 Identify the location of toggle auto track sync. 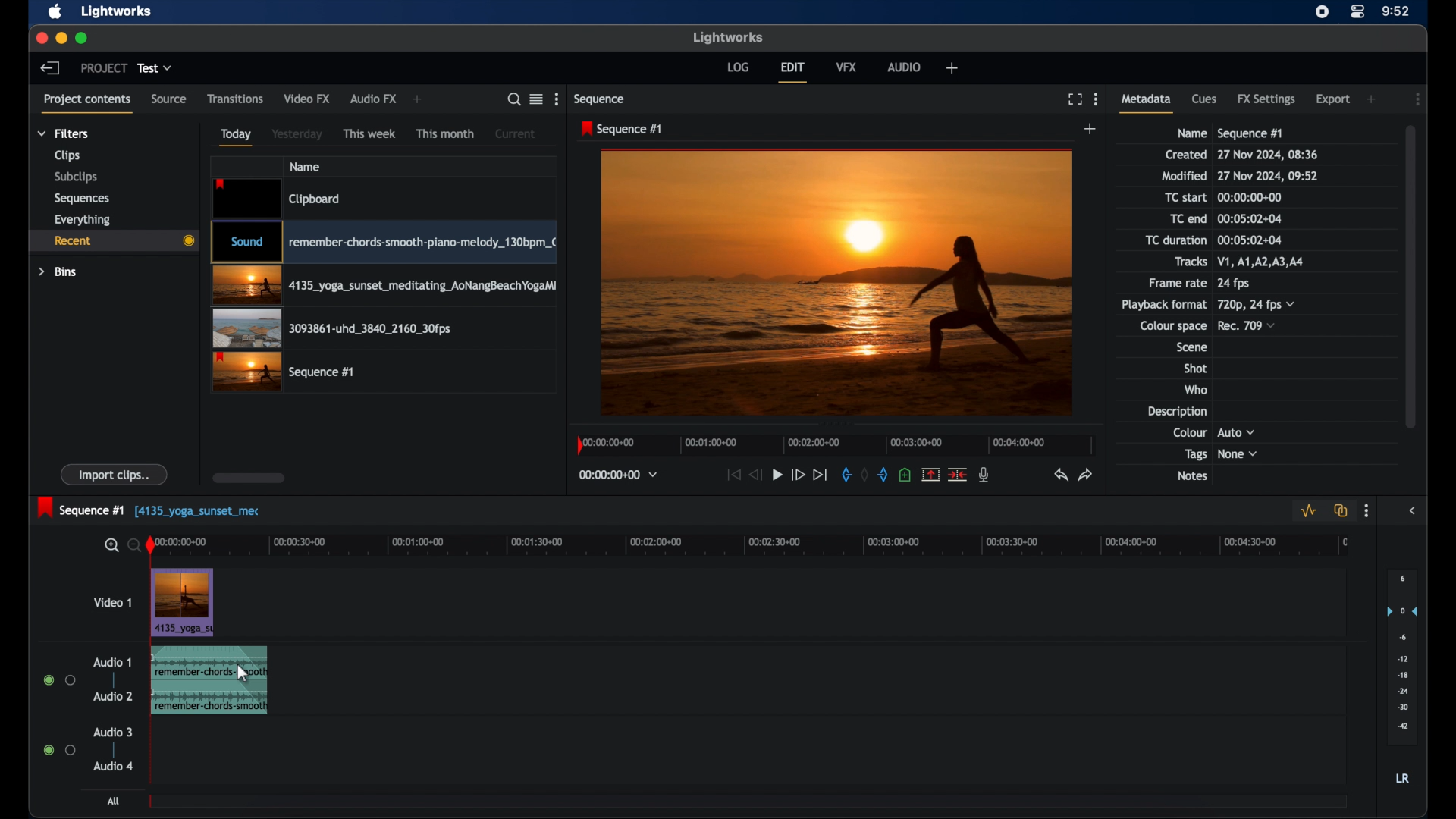
(1341, 510).